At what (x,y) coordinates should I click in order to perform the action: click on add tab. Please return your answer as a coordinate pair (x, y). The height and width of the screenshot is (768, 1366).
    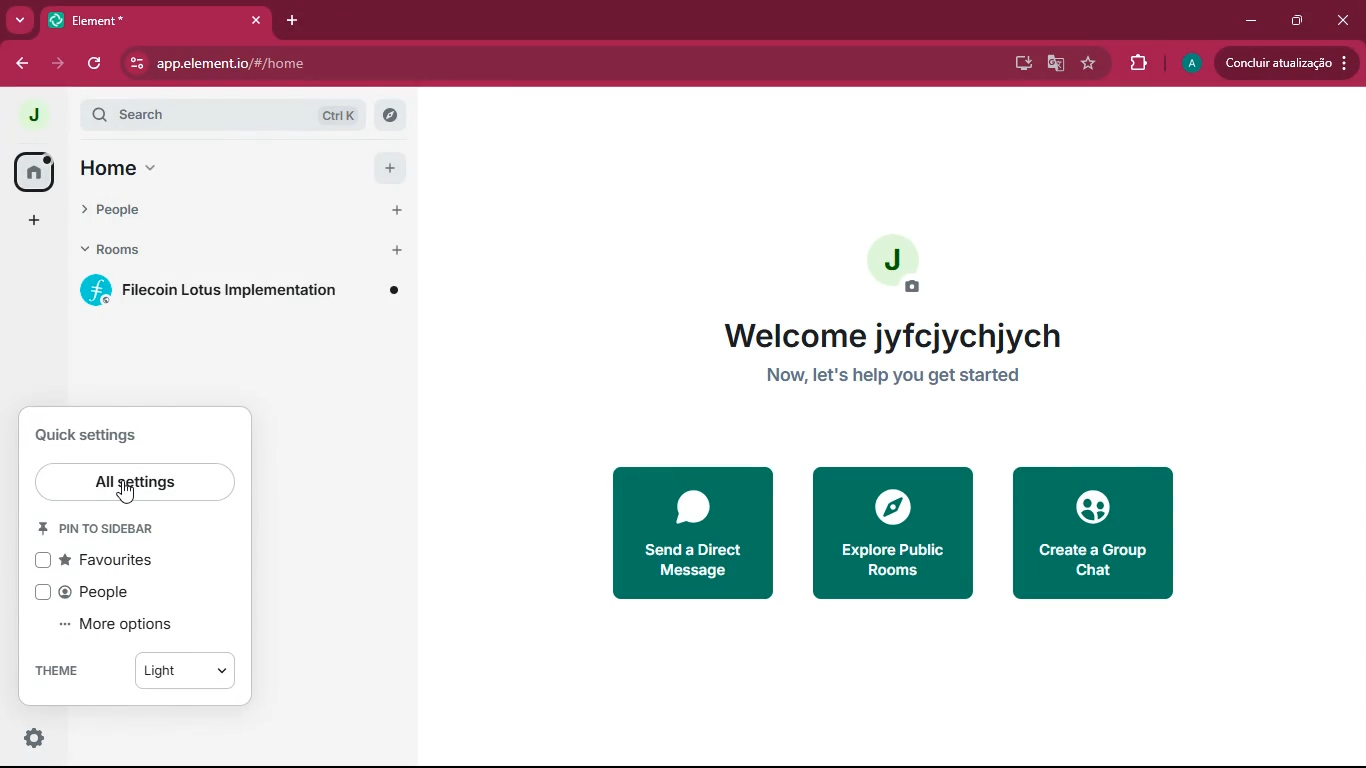
    Looking at the image, I should click on (296, 20).